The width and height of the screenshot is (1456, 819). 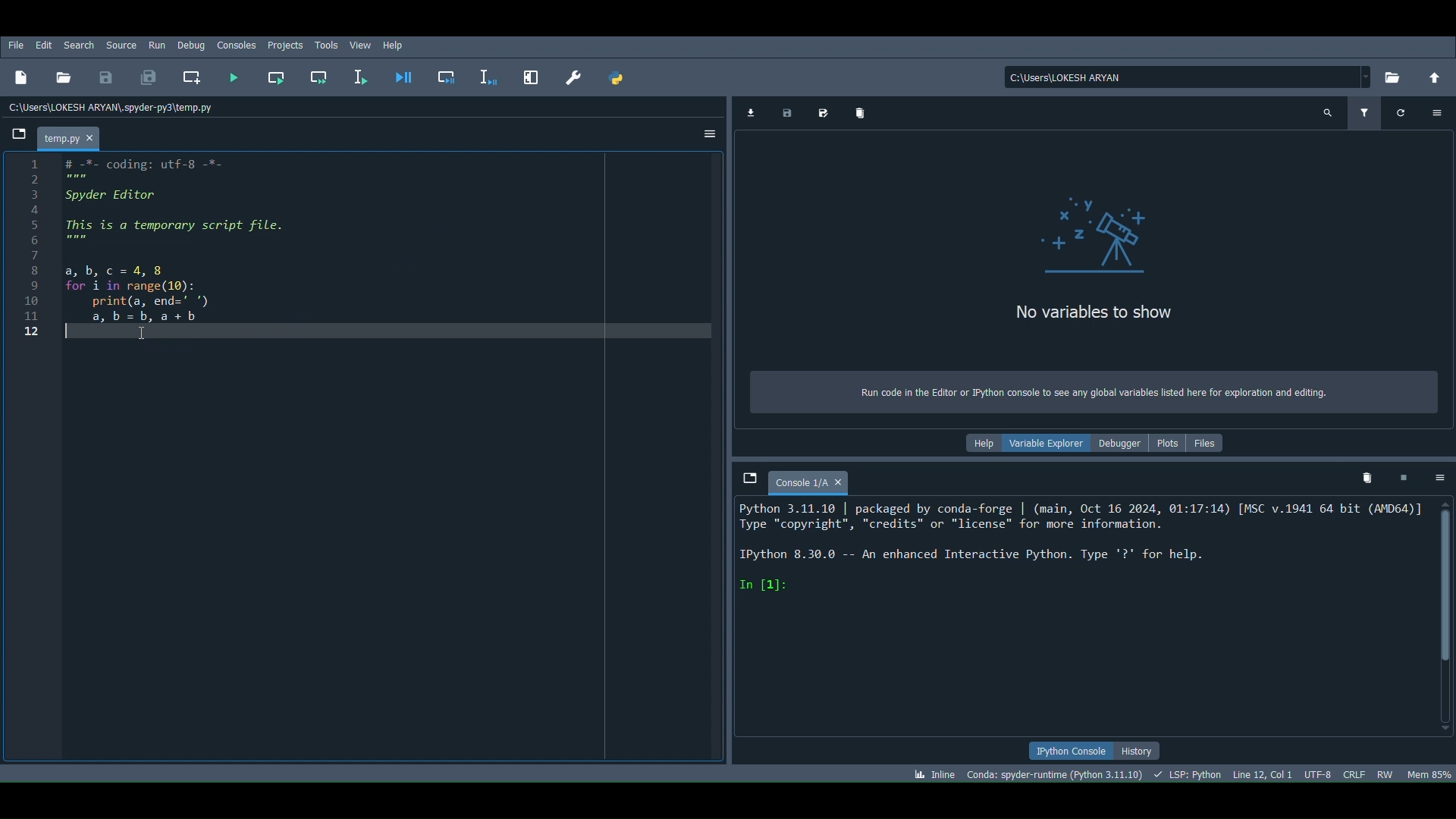 I want to click on Save file (Ctrl + S), so click(x=109, y=77).